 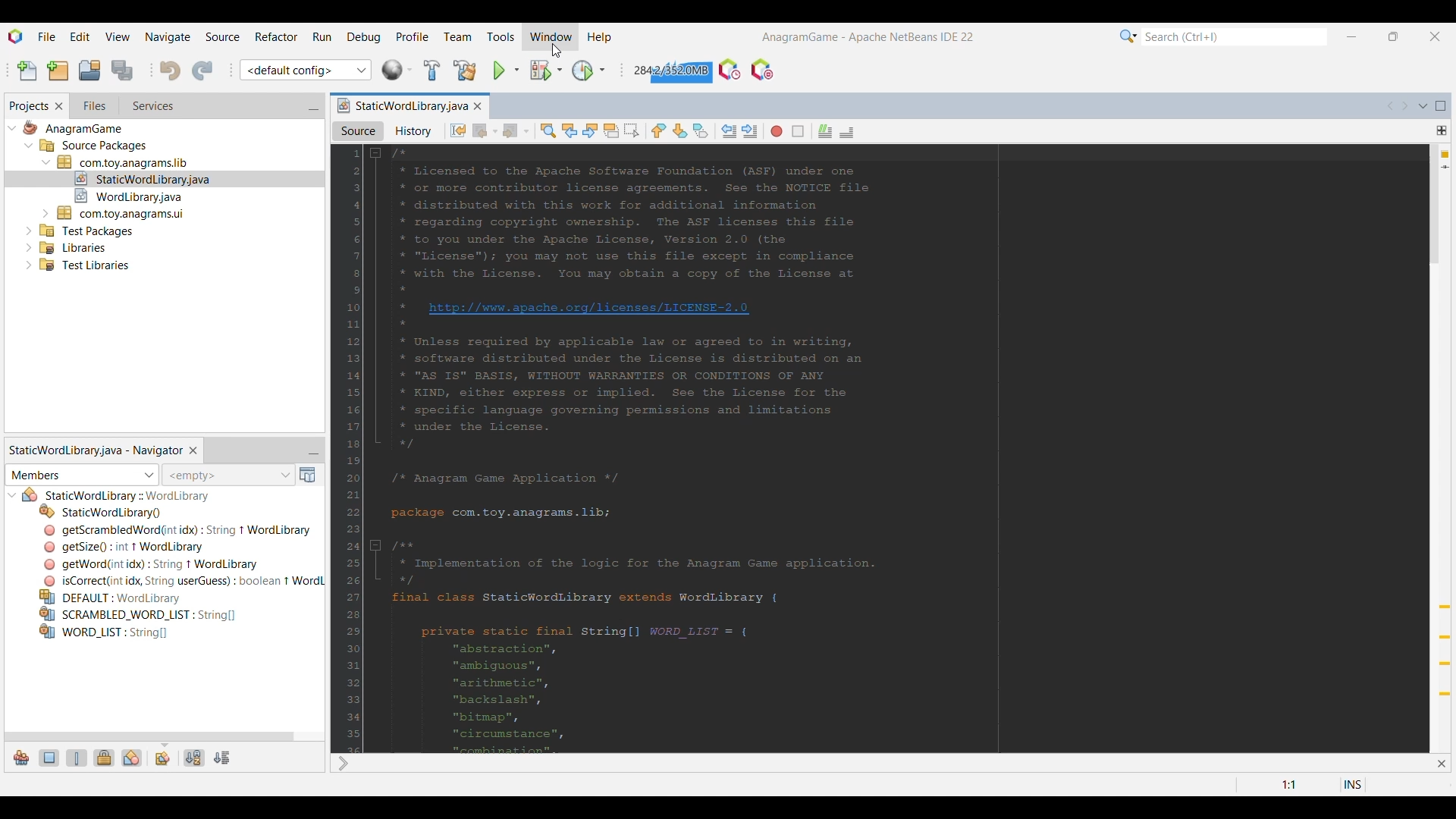 What do you see at coordinates (526, 132) in the screenshot?
I see `Forward options` at bounding box center [526, 132].